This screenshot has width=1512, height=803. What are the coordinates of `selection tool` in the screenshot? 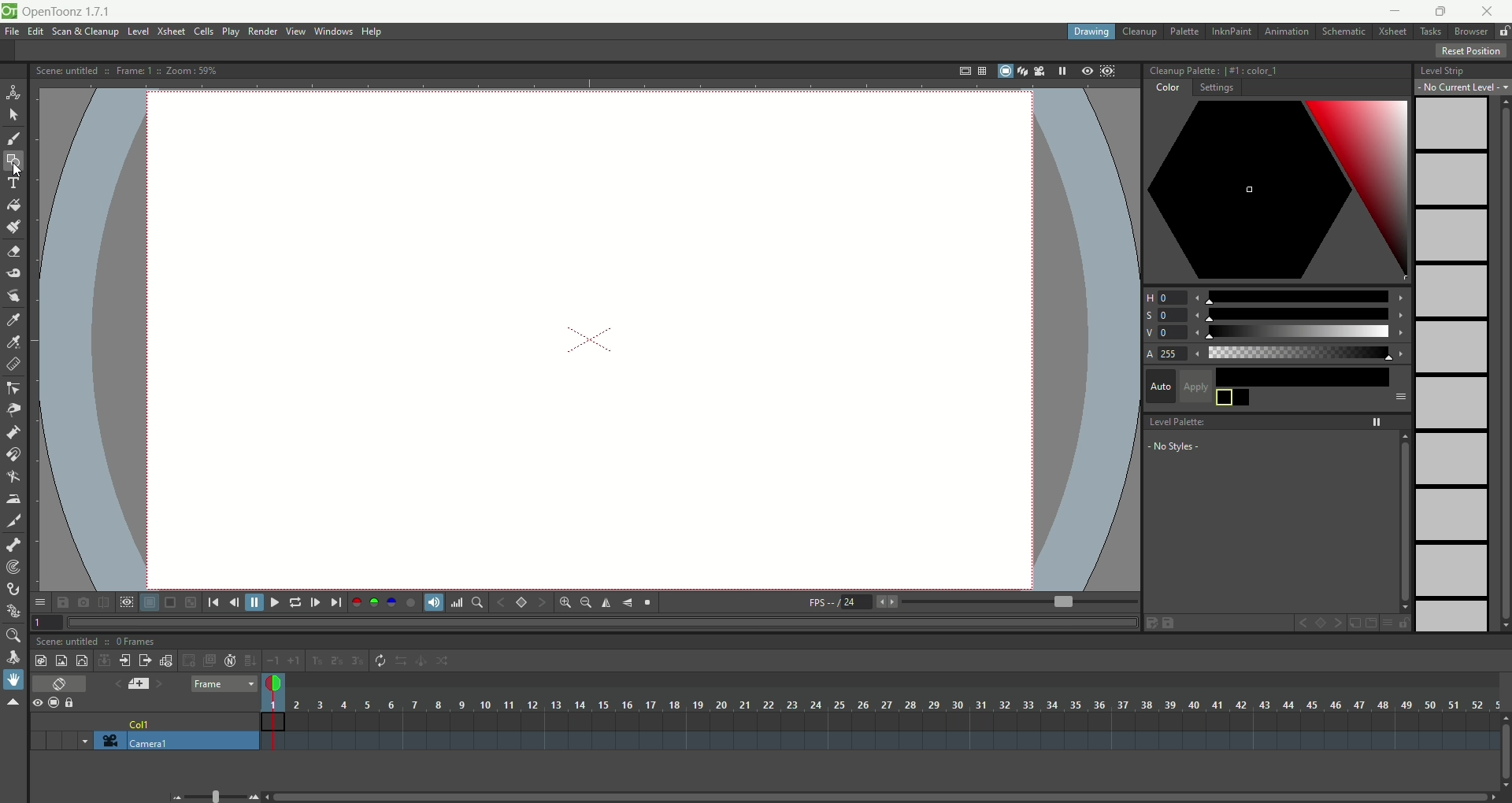 It's located at (13, 114).